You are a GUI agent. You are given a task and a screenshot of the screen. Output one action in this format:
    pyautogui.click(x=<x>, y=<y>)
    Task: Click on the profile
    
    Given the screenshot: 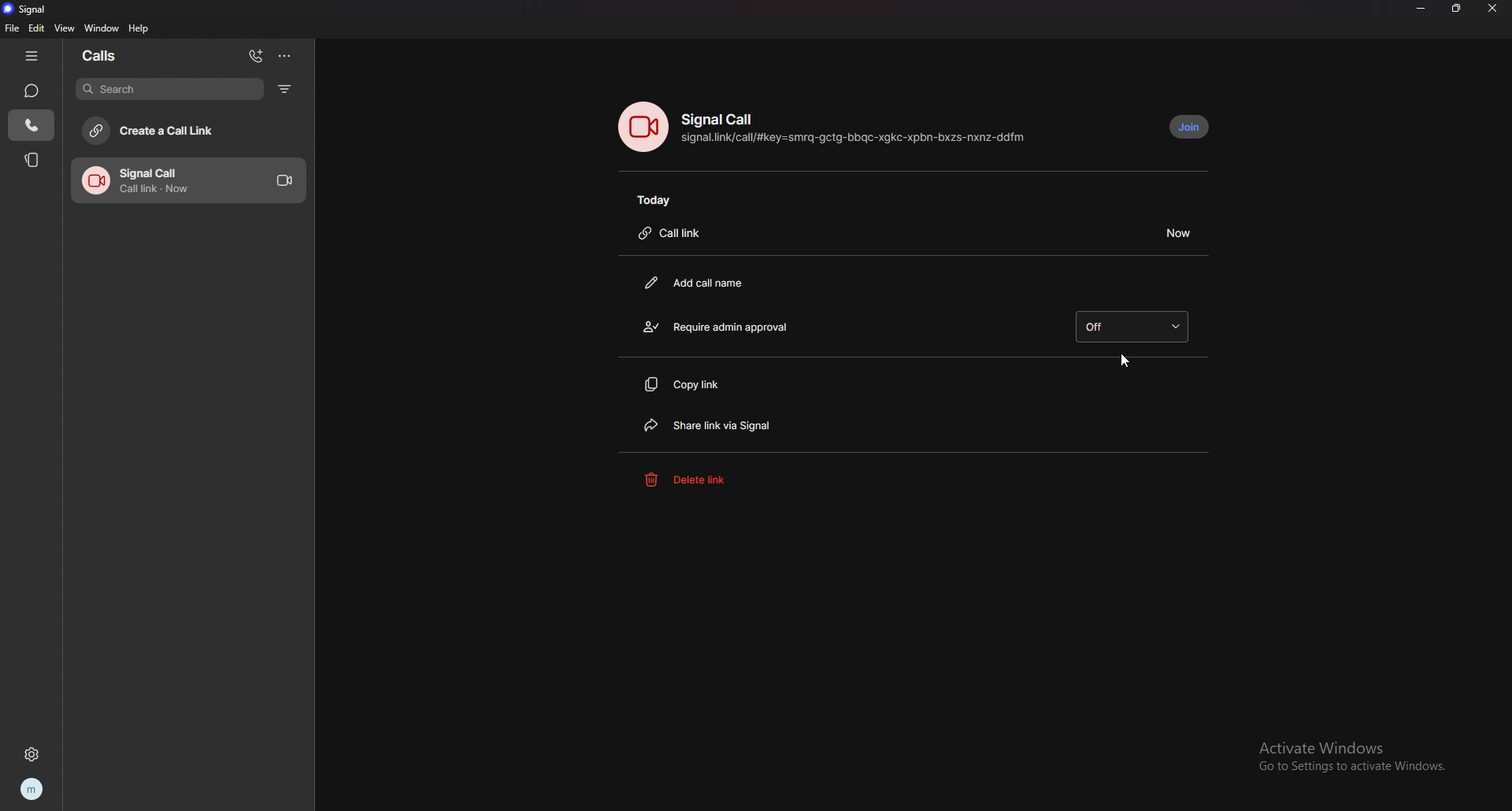 What is the action you would take?
    pyautogui.click(x=33, y=789)
    